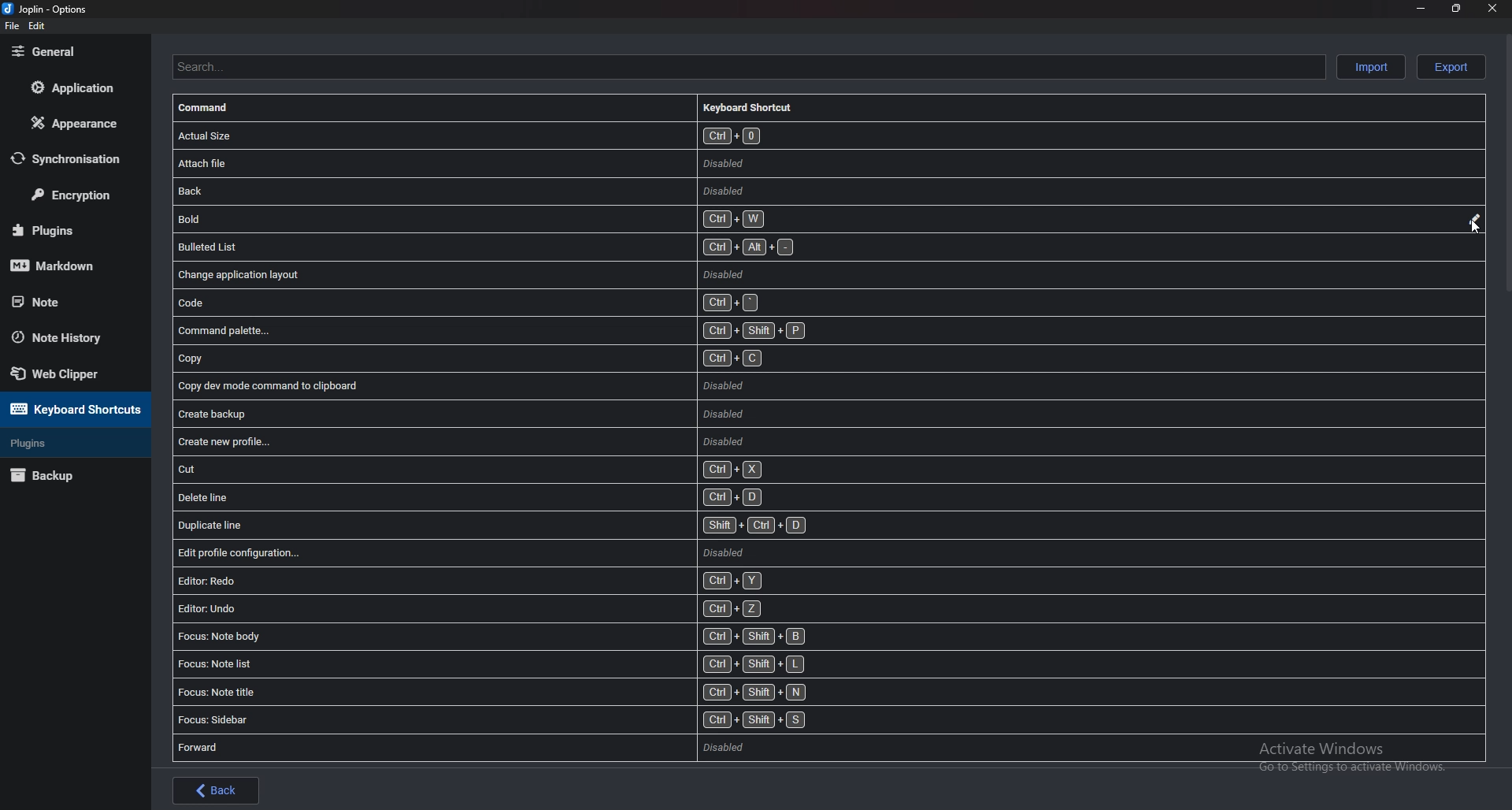 The image size is (1512, 810). Describe the element at coordinates (74, 373) in the screenshot. I see `Web clipper` at that location.